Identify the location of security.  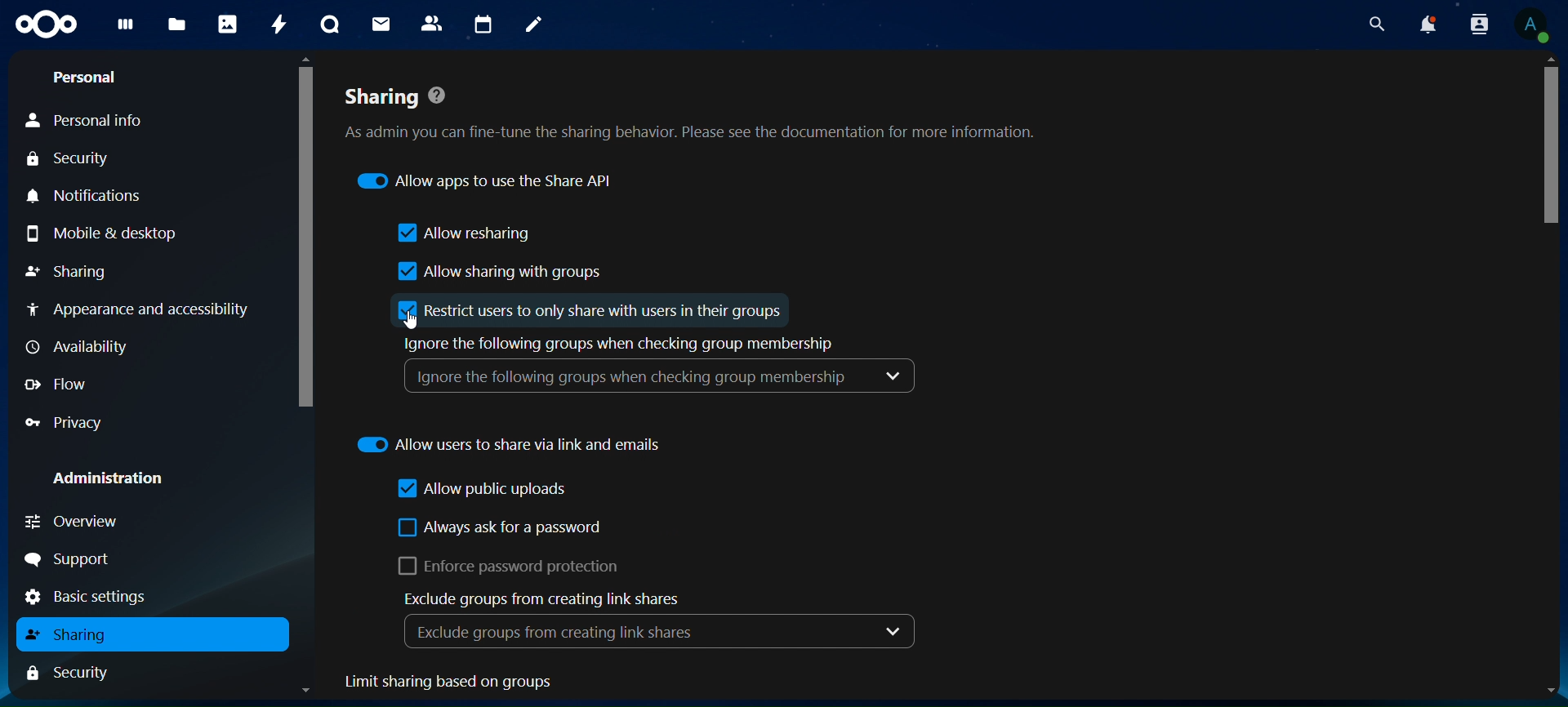
(83, 159).